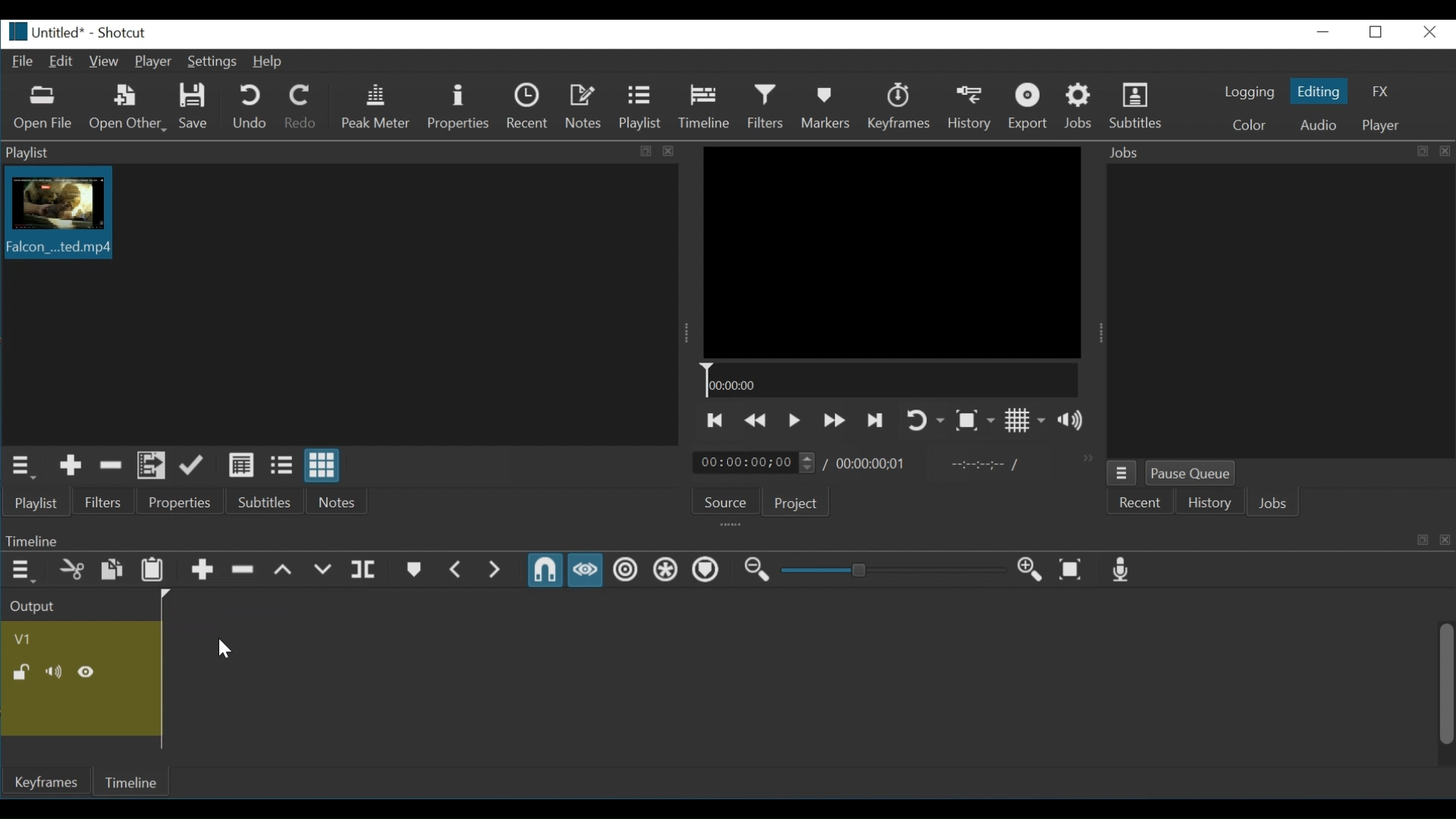 This screenshot has width=1456, height=819. I want to click on Current location, so click(756, 463).